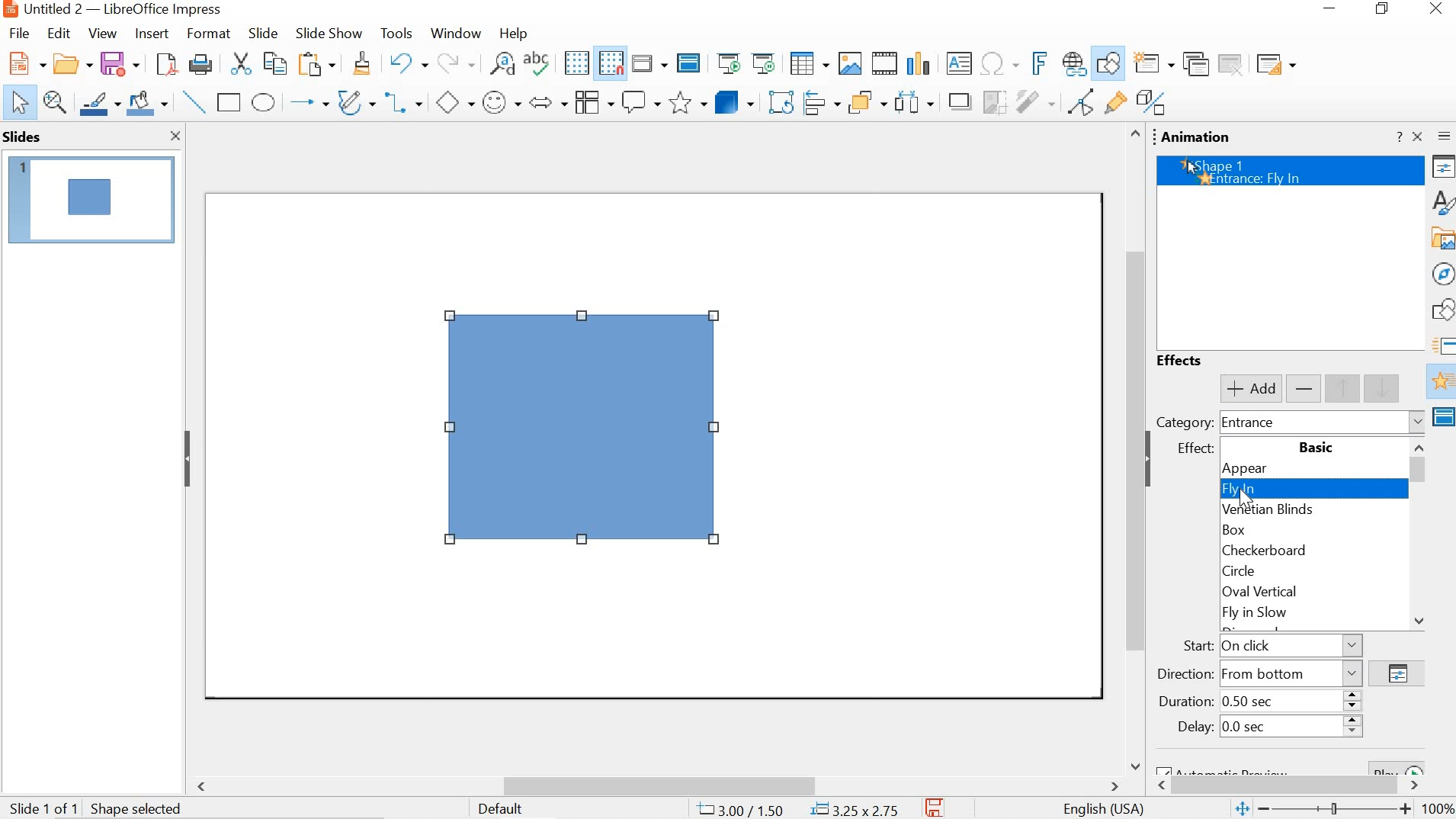 The image size is (1456, 819). Describe the element at coordinates (1257, 700) in the screenshot. I see `duration` at that location.